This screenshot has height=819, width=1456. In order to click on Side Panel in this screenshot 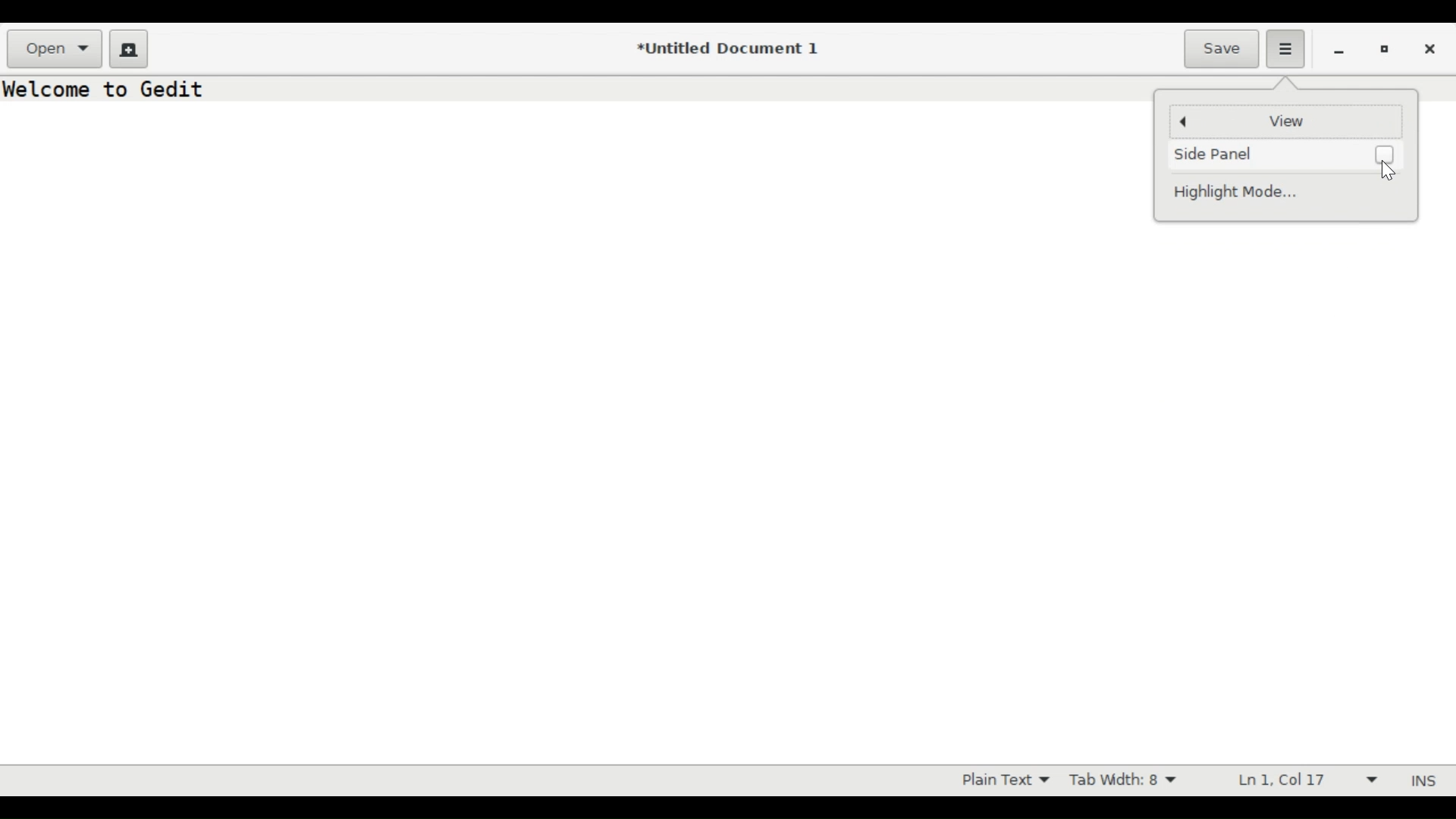, I will do `click(1222, 152)`.